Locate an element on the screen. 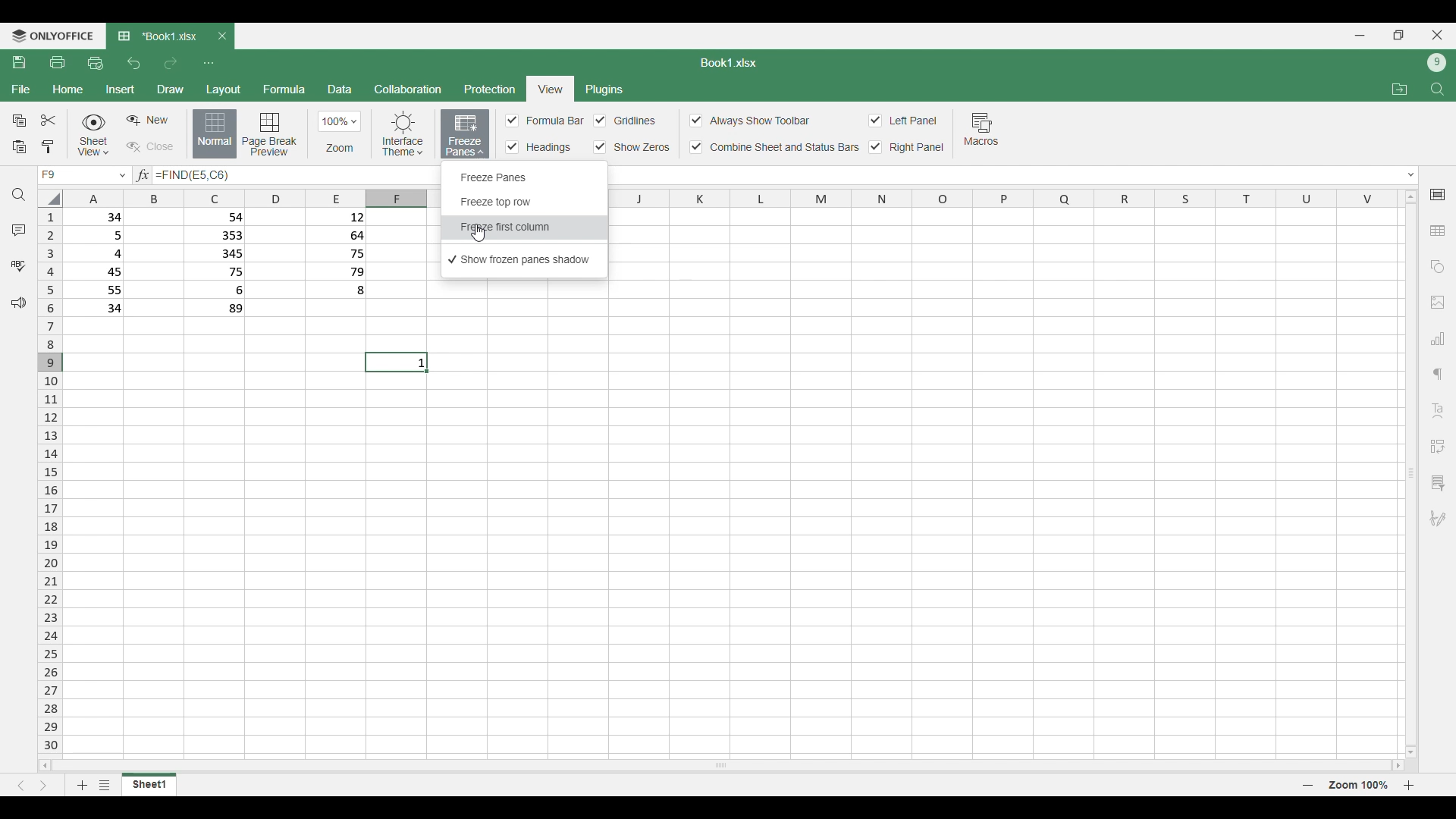  File menu is located at coordinates (21, 89).